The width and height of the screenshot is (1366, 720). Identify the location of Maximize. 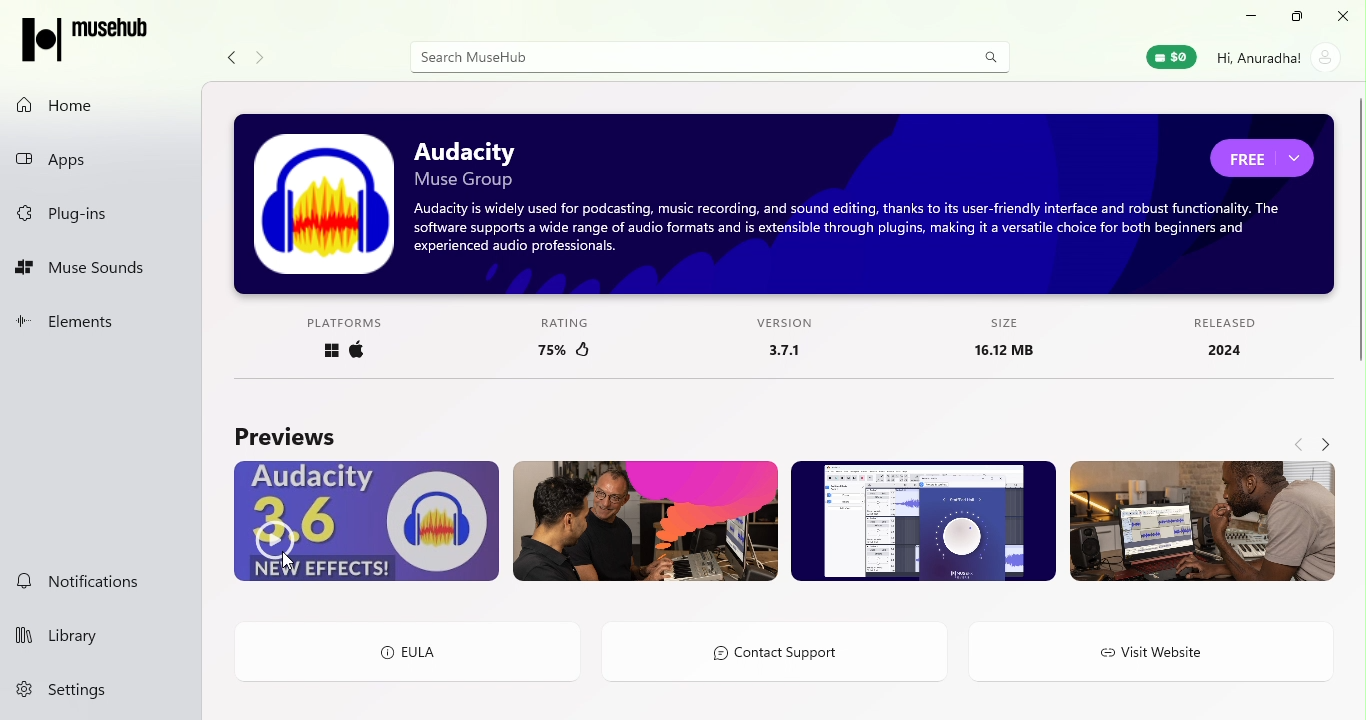
(1295, 17).